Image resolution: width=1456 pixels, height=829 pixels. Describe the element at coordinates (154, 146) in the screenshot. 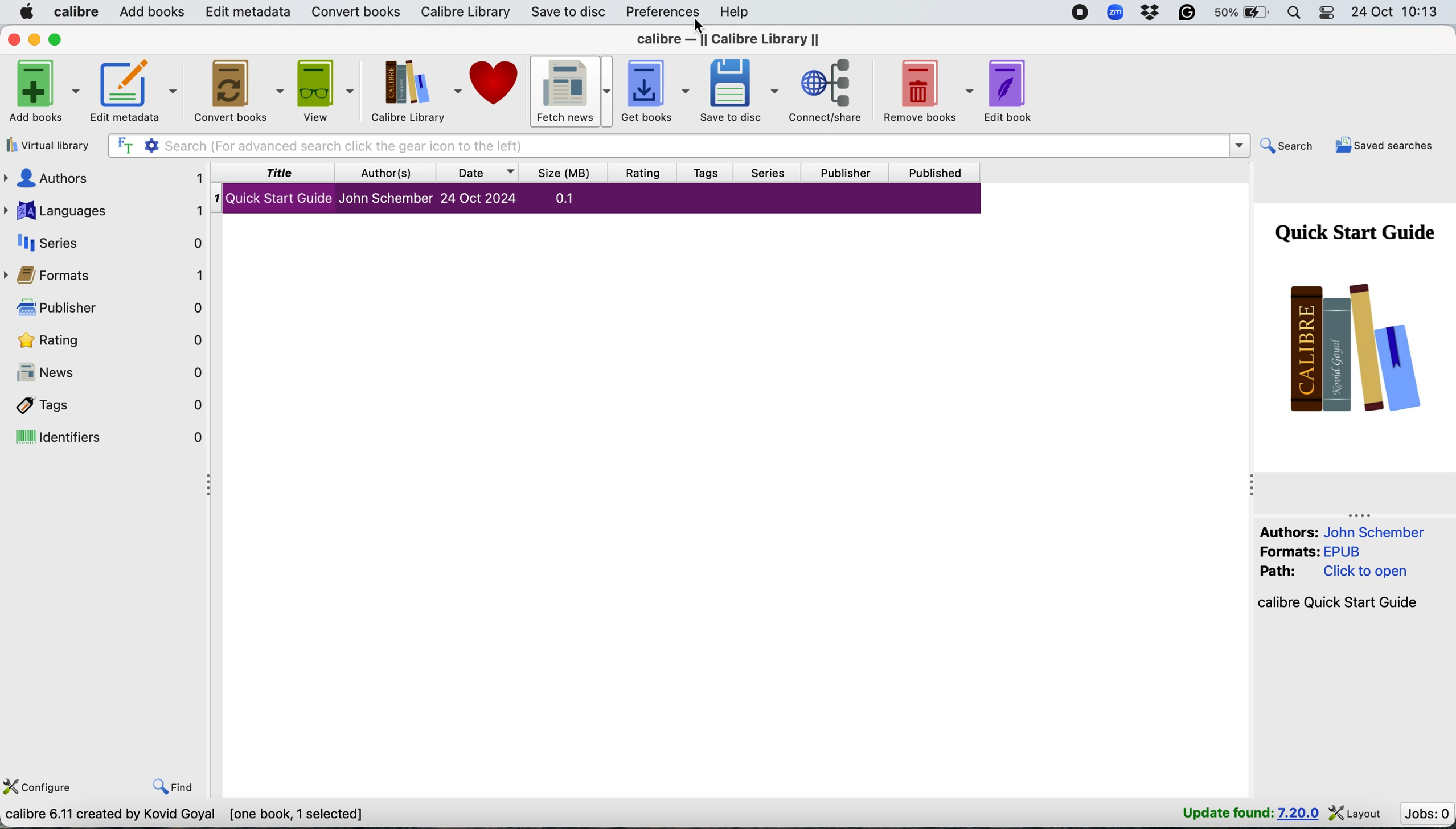

I see `settings` at that location.